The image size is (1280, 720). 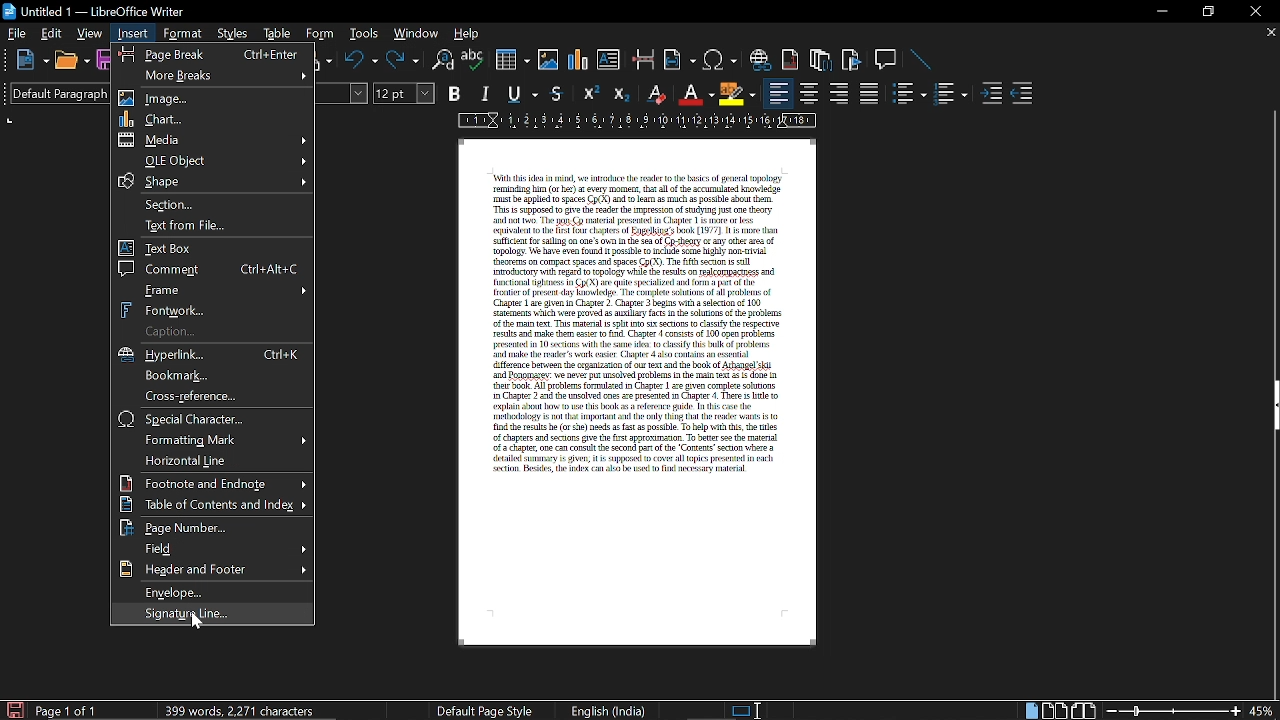 What do you see at coordinates (1272, 407) in the screenshot?
I see `sidebar view` at bounding box center [1272, 407].